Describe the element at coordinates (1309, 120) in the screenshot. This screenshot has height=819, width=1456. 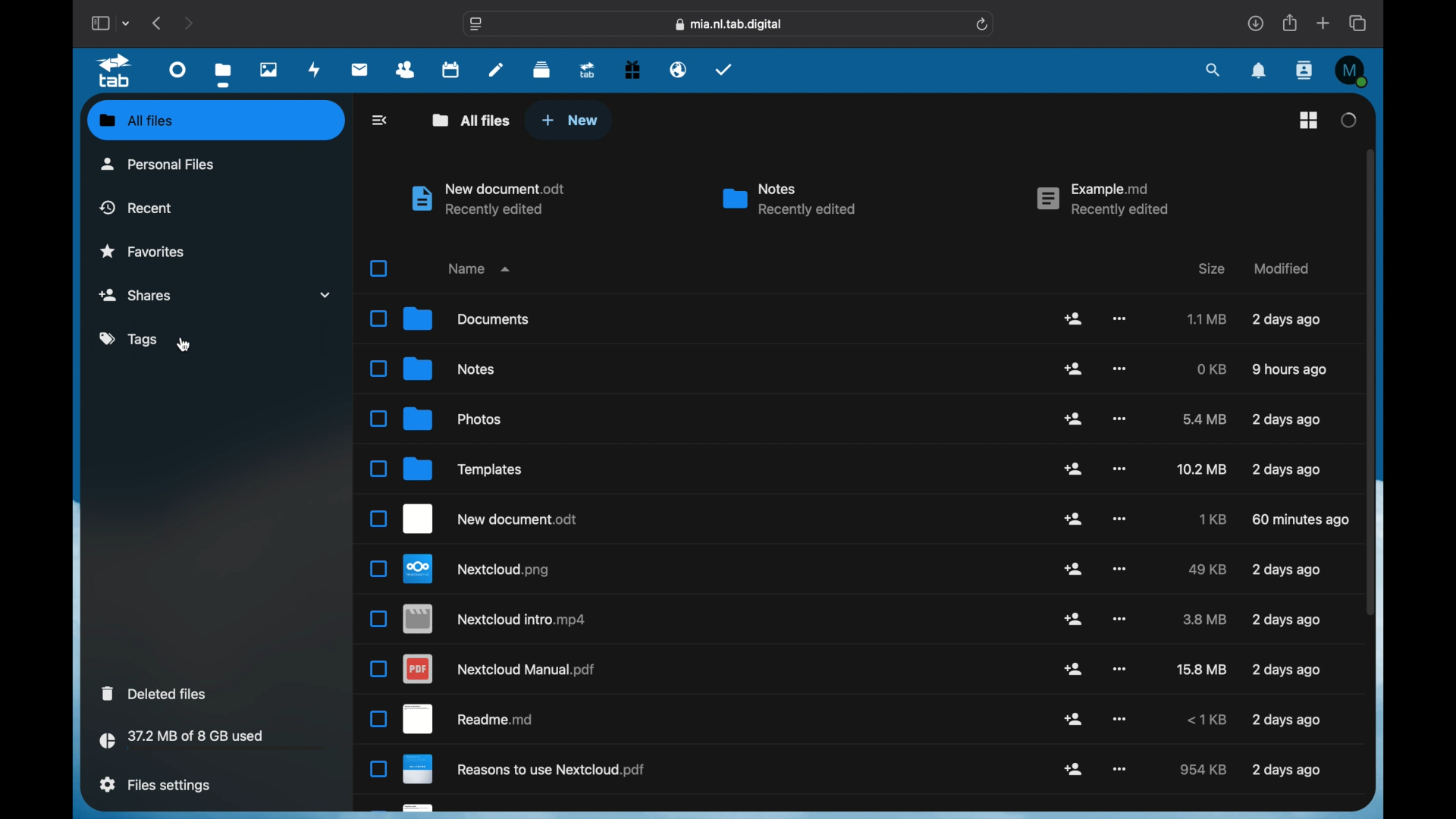
I see `grid view` at that location.